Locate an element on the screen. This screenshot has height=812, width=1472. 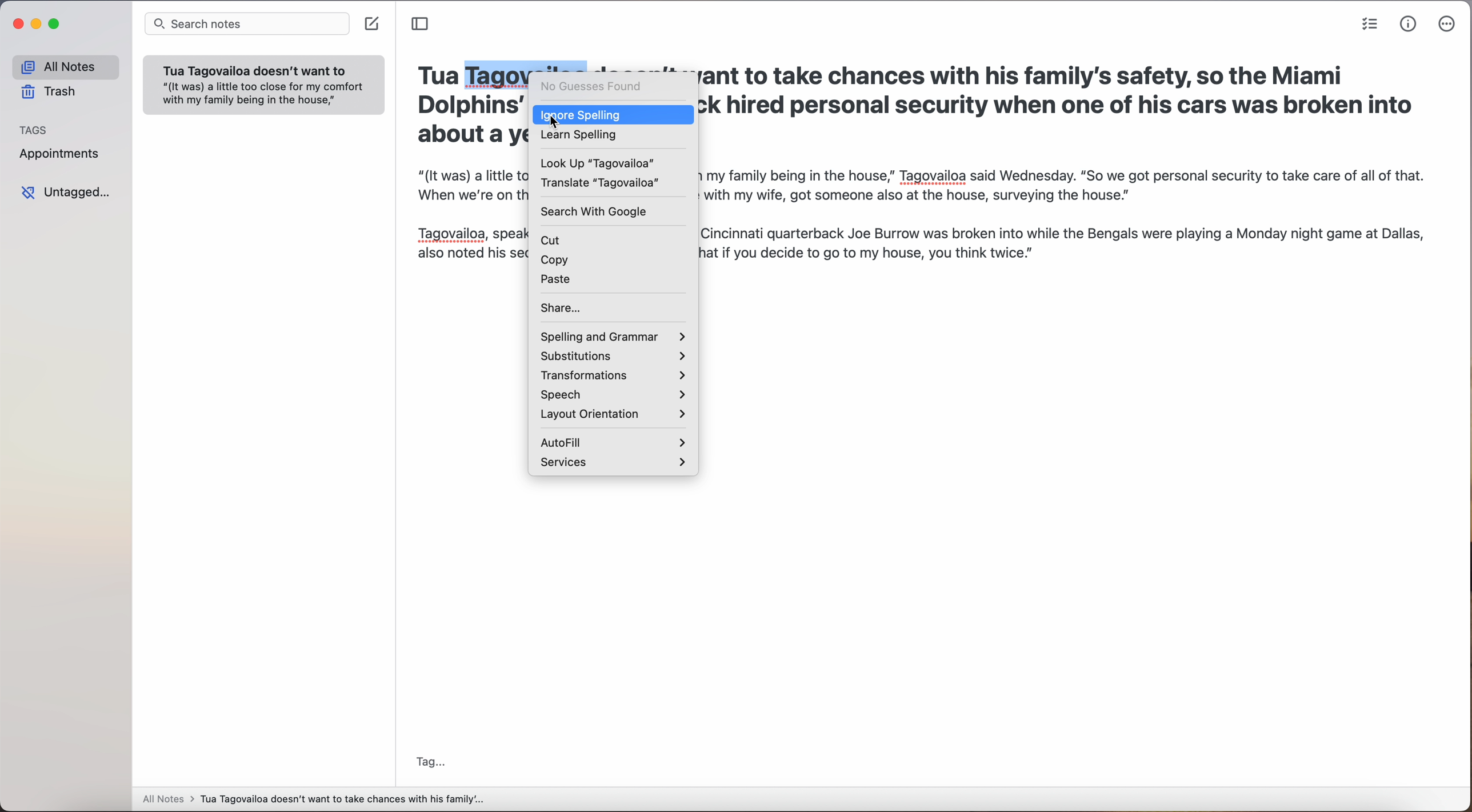
trash is located at coordinates (47, 91).